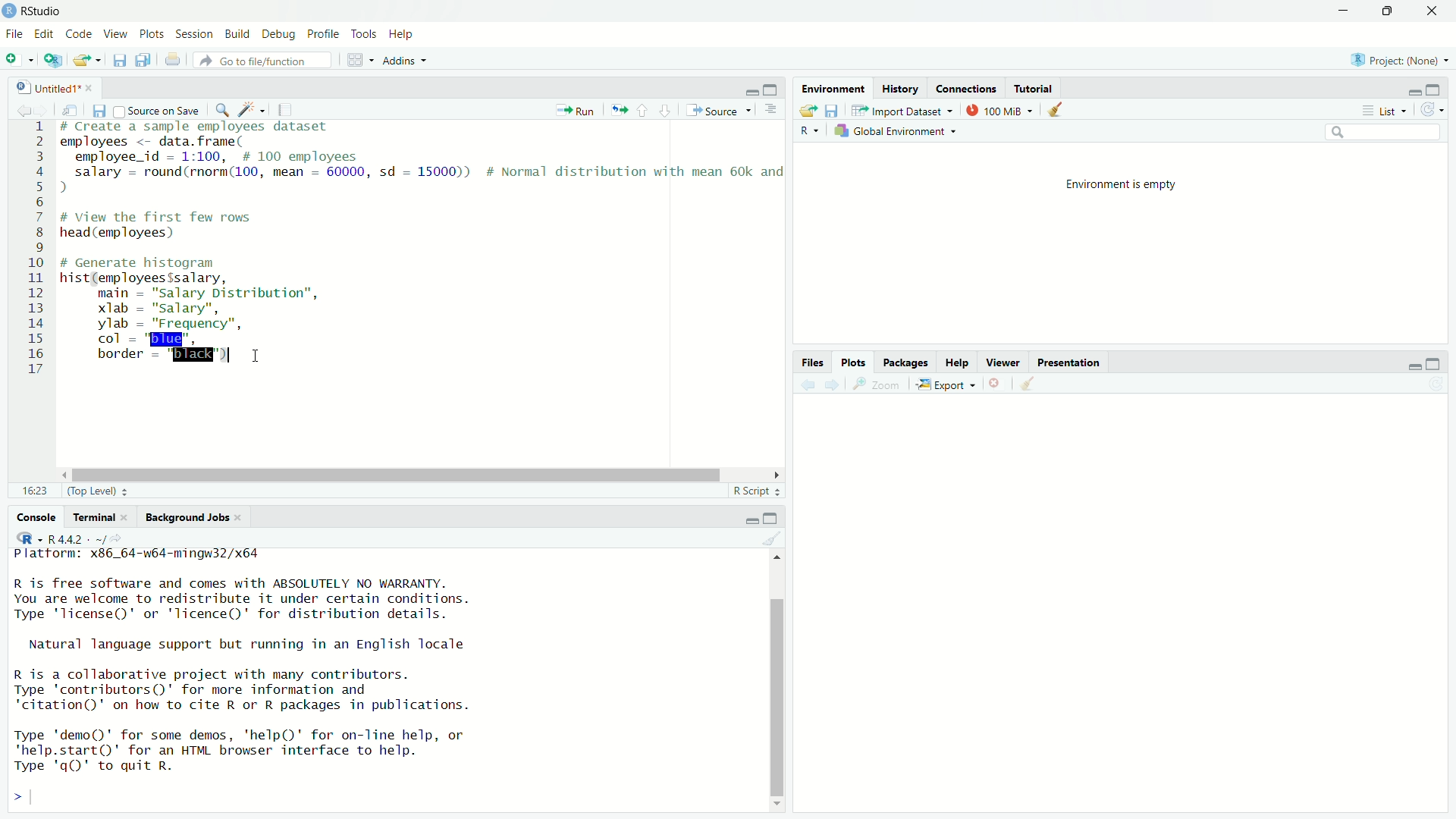 The height and width of the screenshot is (819, 1456). I want to click on clean, so click(772, 538).